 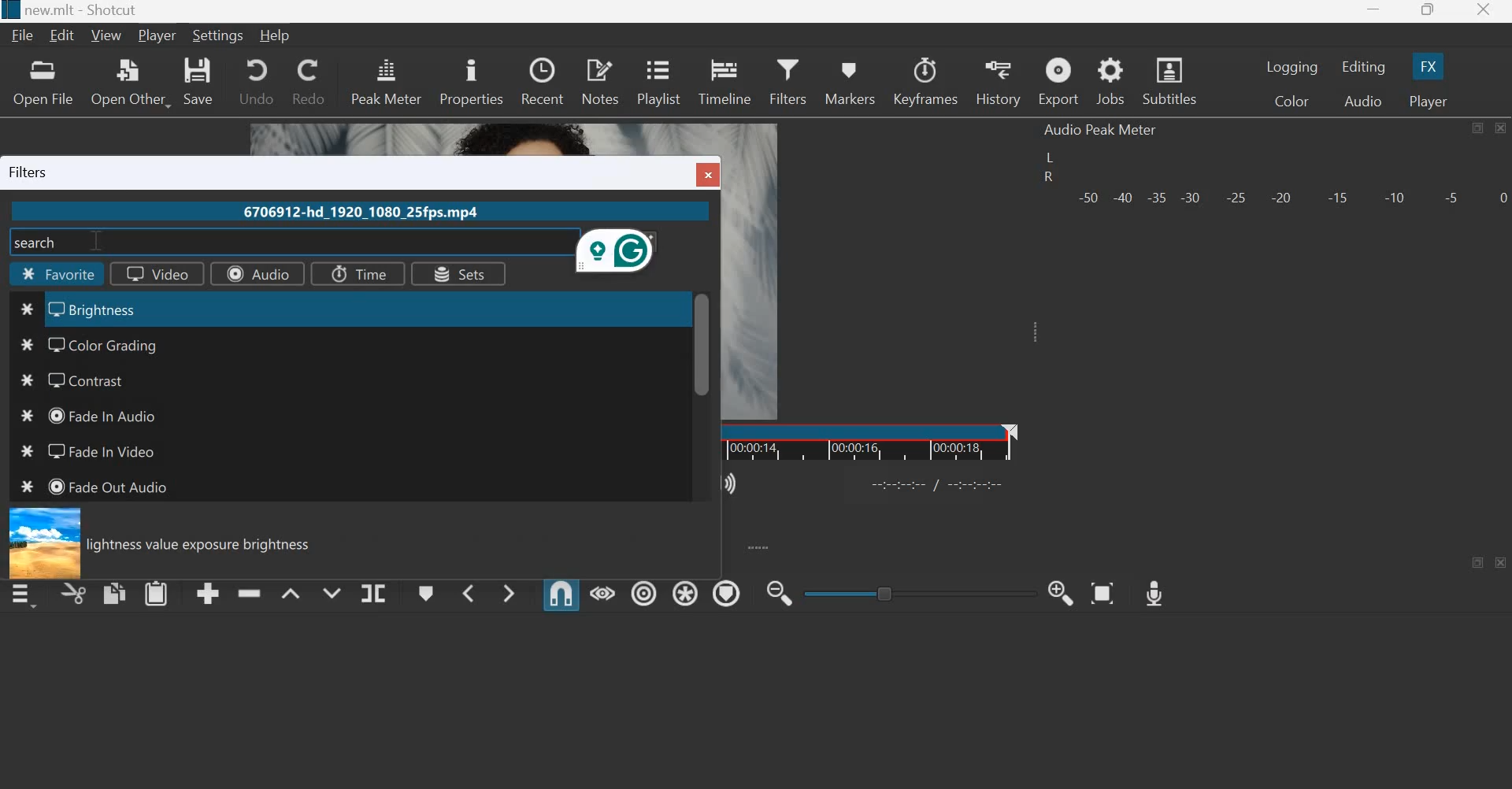 What do you see at coordinates (1427, 12) in the screenshot?
I see `maximize` at bounding box center [1427, 12].